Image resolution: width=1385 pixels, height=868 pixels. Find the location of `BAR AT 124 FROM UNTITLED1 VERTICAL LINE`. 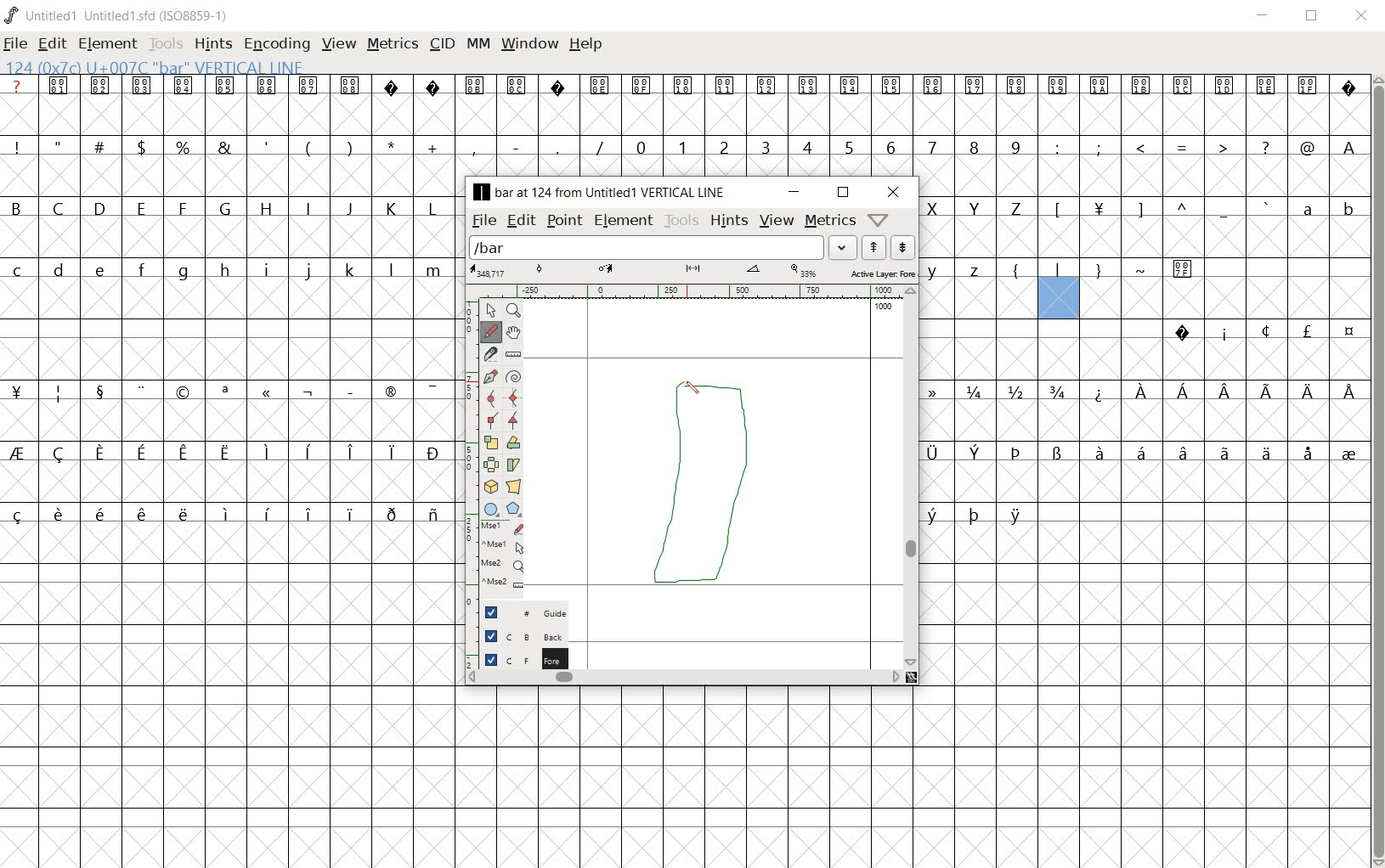

BAR AT 124 FROM UNTITLED1 VERTICAL LINE is located at coordinates (602, 193).